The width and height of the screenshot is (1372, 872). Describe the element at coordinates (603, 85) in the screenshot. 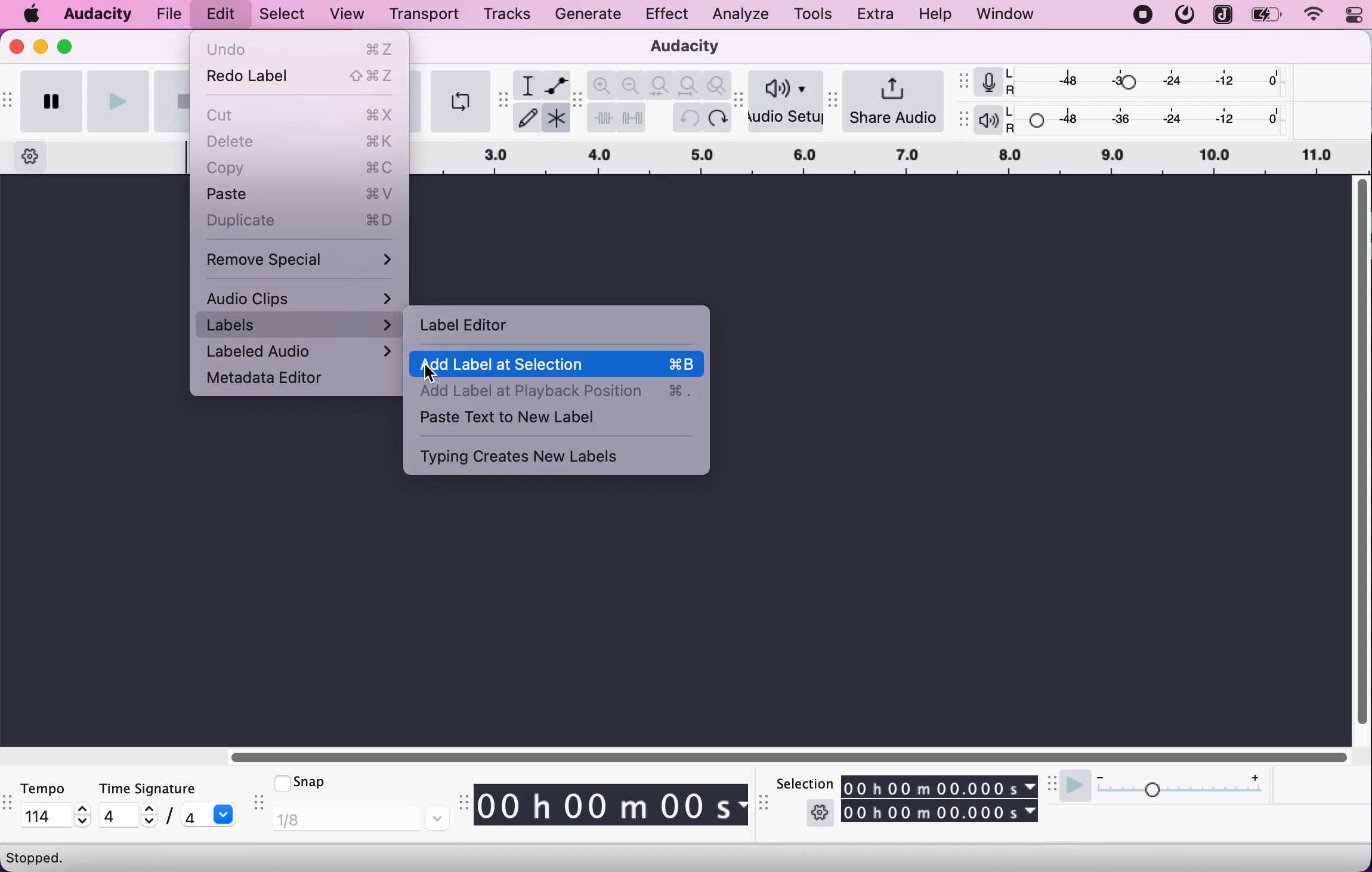

I see `zoom in` at that location.